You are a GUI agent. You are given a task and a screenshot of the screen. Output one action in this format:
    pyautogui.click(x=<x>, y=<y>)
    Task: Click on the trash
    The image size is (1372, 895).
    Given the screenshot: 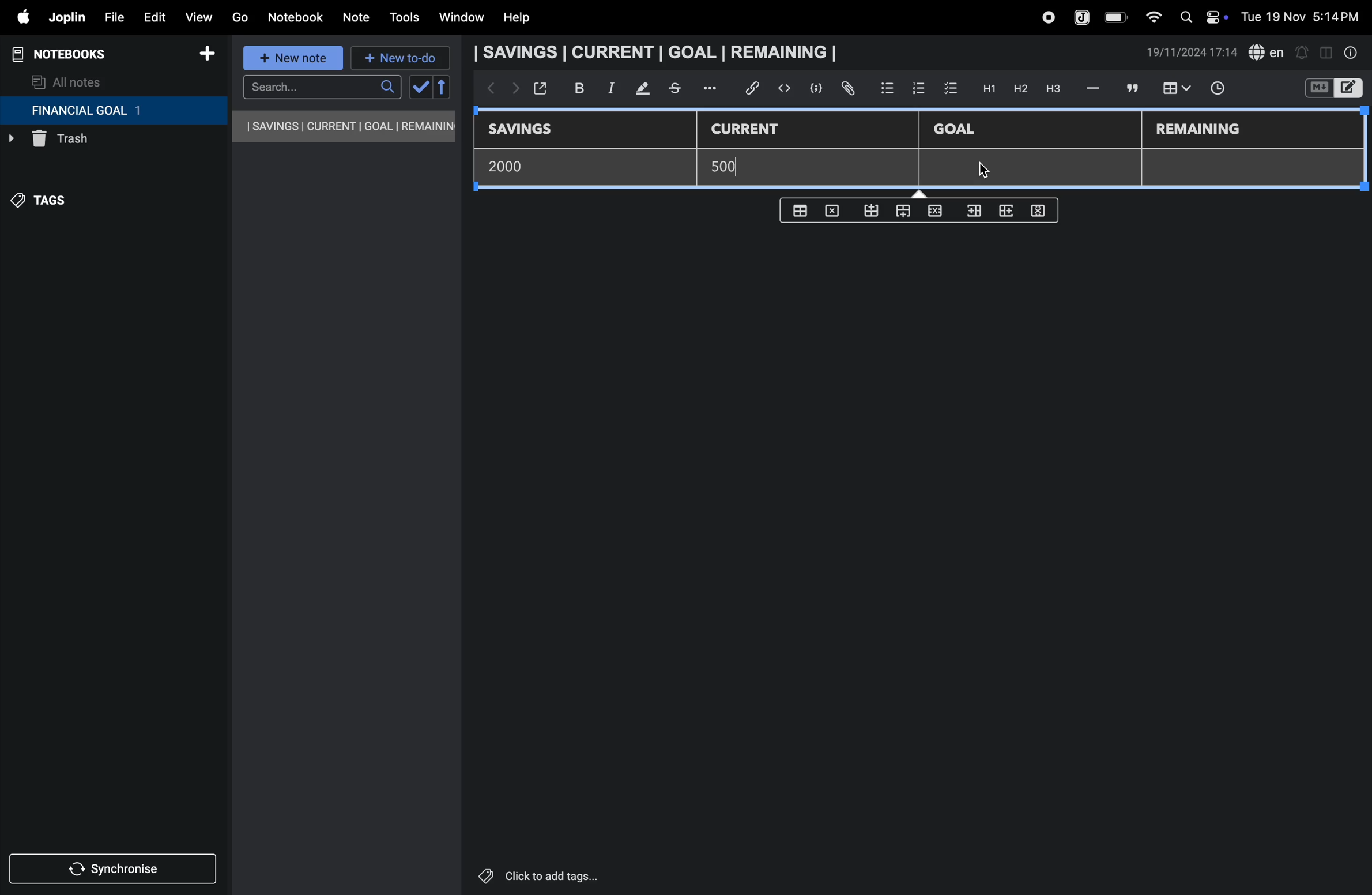 What is the action you would take?
    pyautogui.click(x=89, y=142)
    